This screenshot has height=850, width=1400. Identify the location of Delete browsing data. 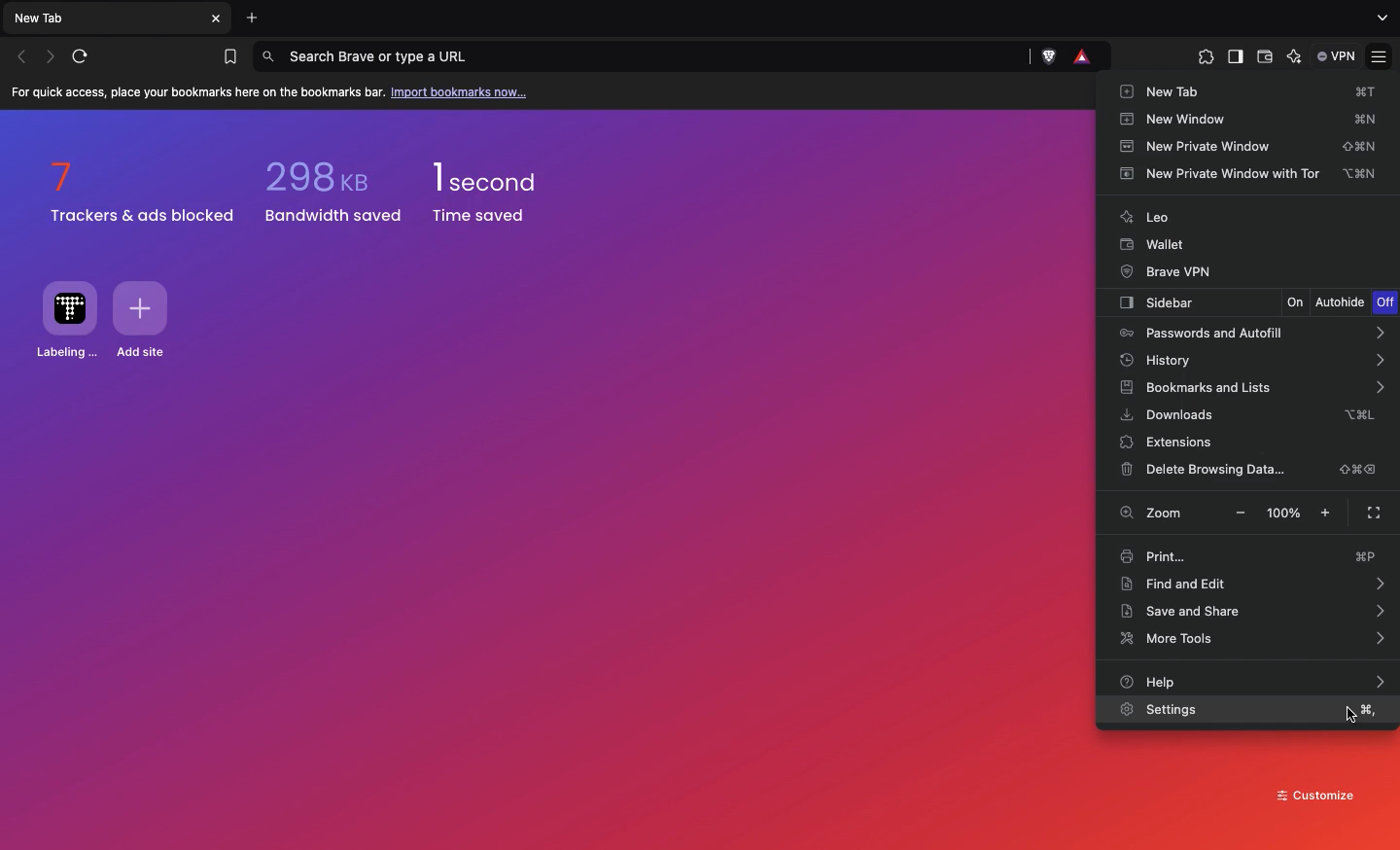
(1242, 471).